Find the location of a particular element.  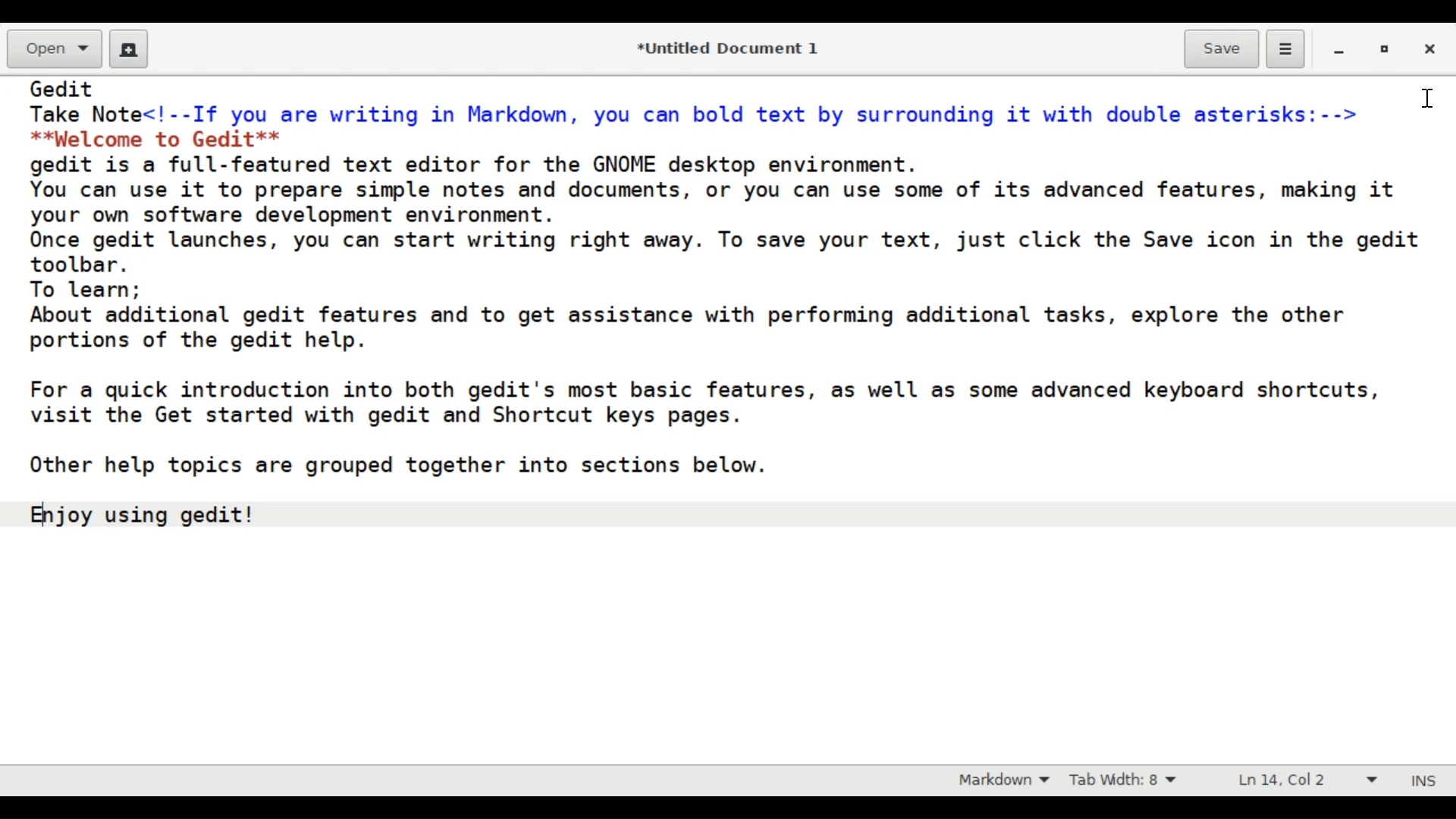

Tab Width is located at coordinates (1127, 780).